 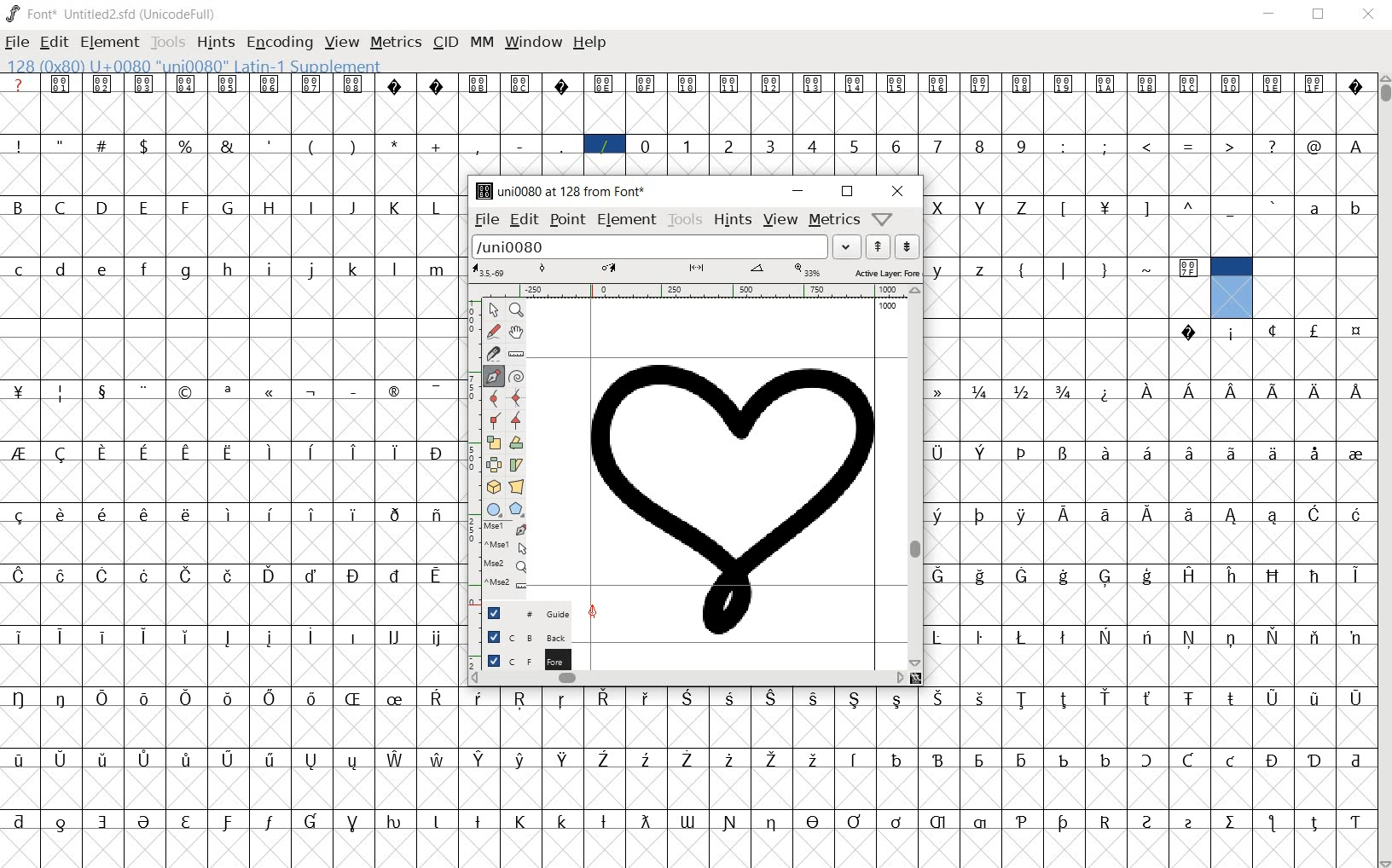 I want to click on glyph, so click(x=1105, y=636).